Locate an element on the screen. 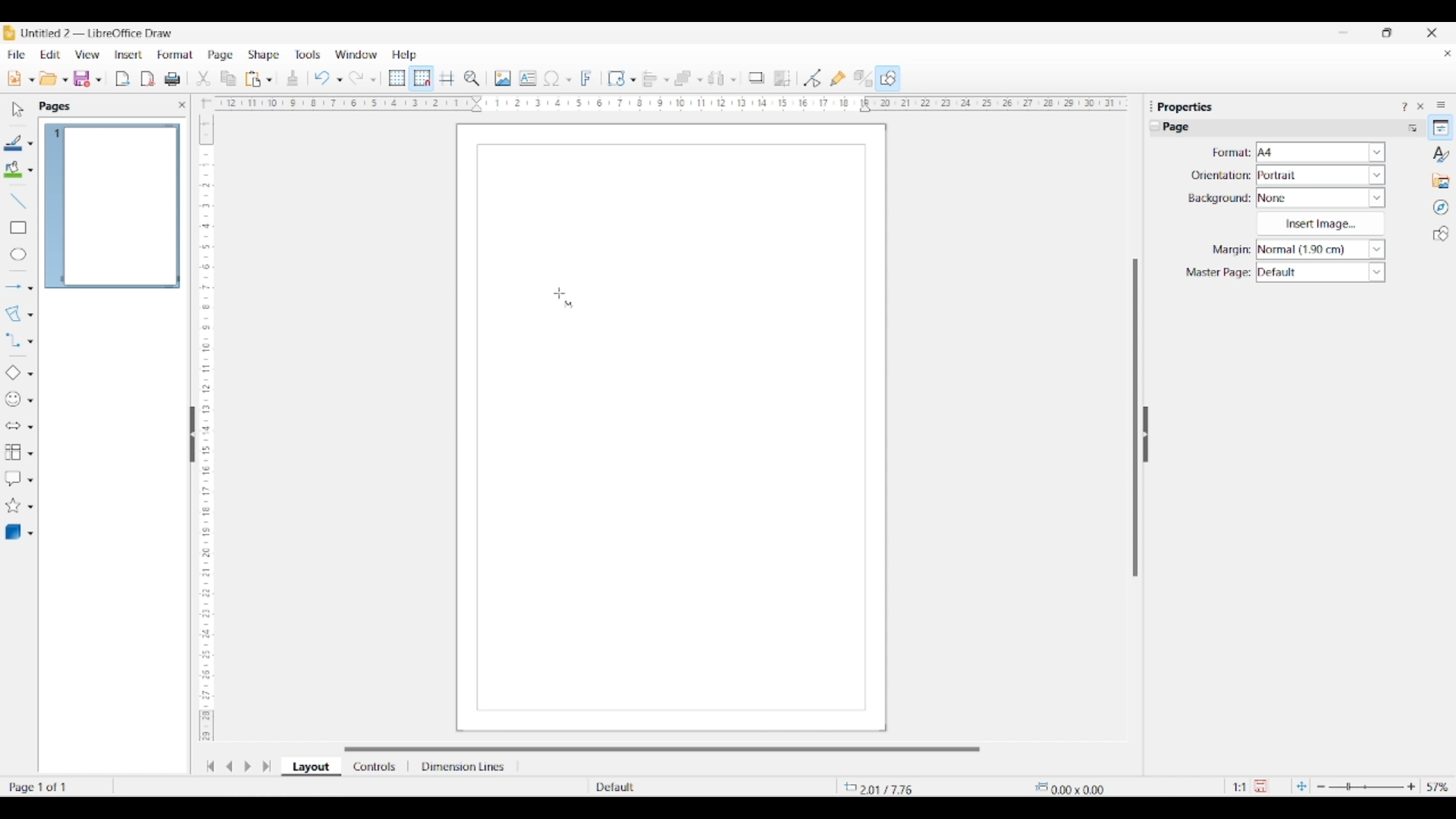 This screenshot has height=819, width=1456. Slider to change zoom in/out is located at coordinates (1366, 786).